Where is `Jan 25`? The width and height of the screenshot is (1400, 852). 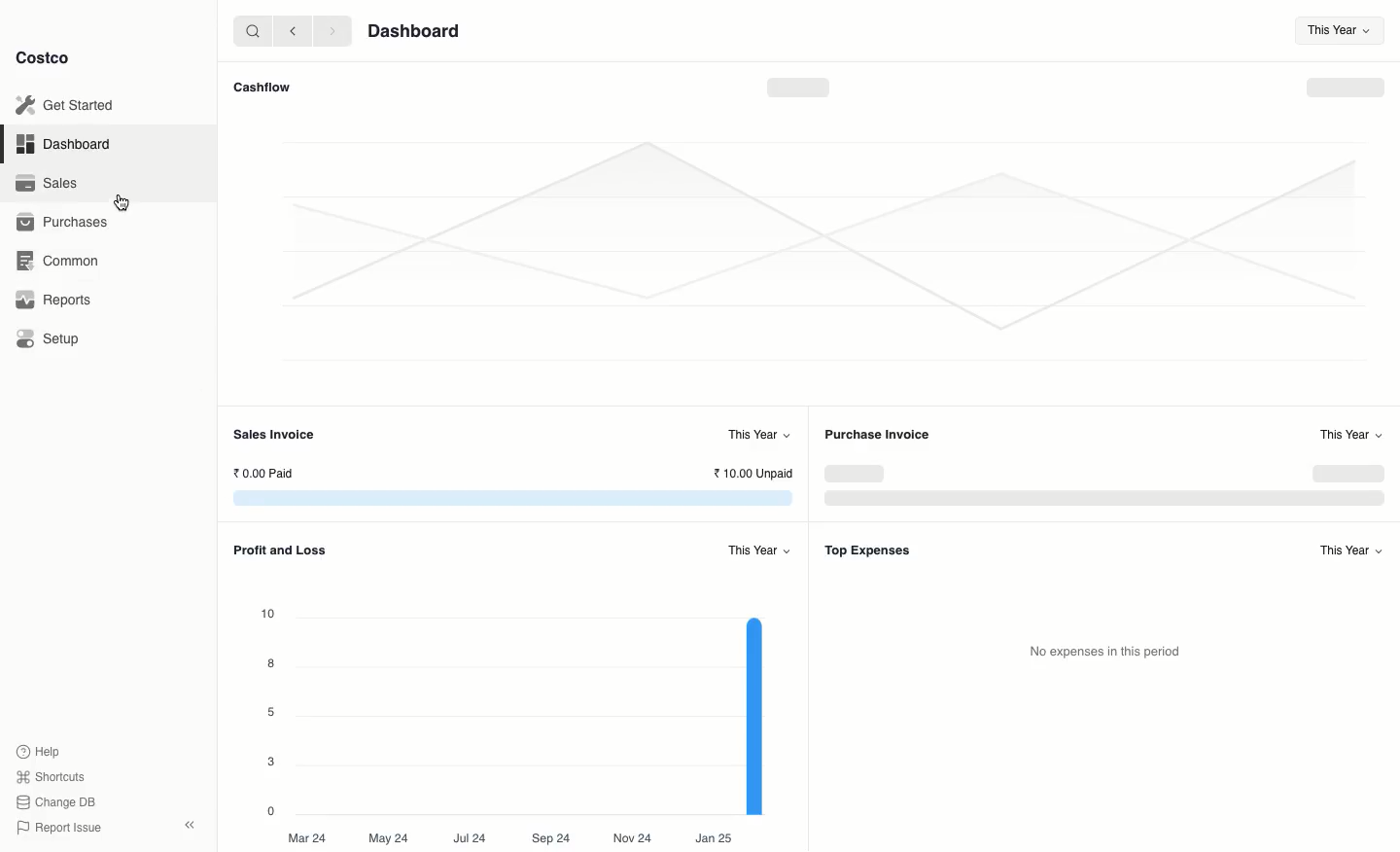 Jan 25 is located at coordinates (718, 837).